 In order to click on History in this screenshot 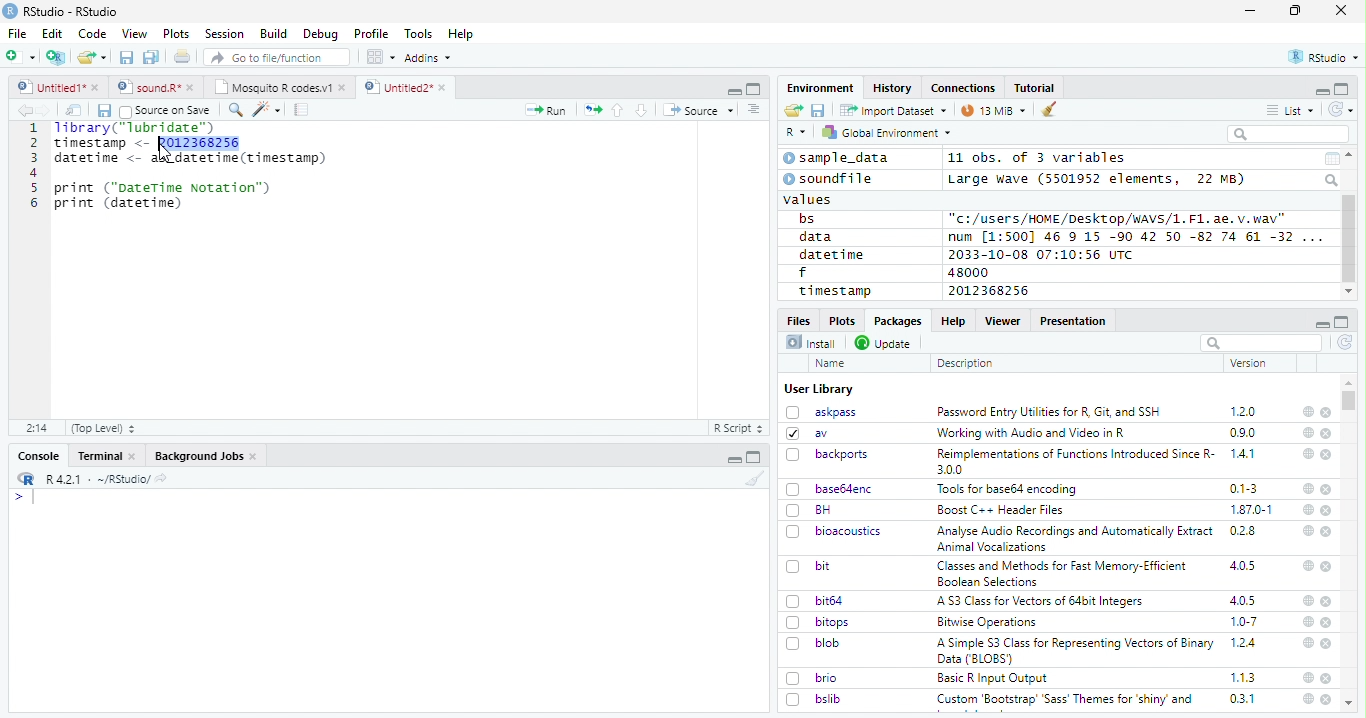, I will do `click(893, 88)`.